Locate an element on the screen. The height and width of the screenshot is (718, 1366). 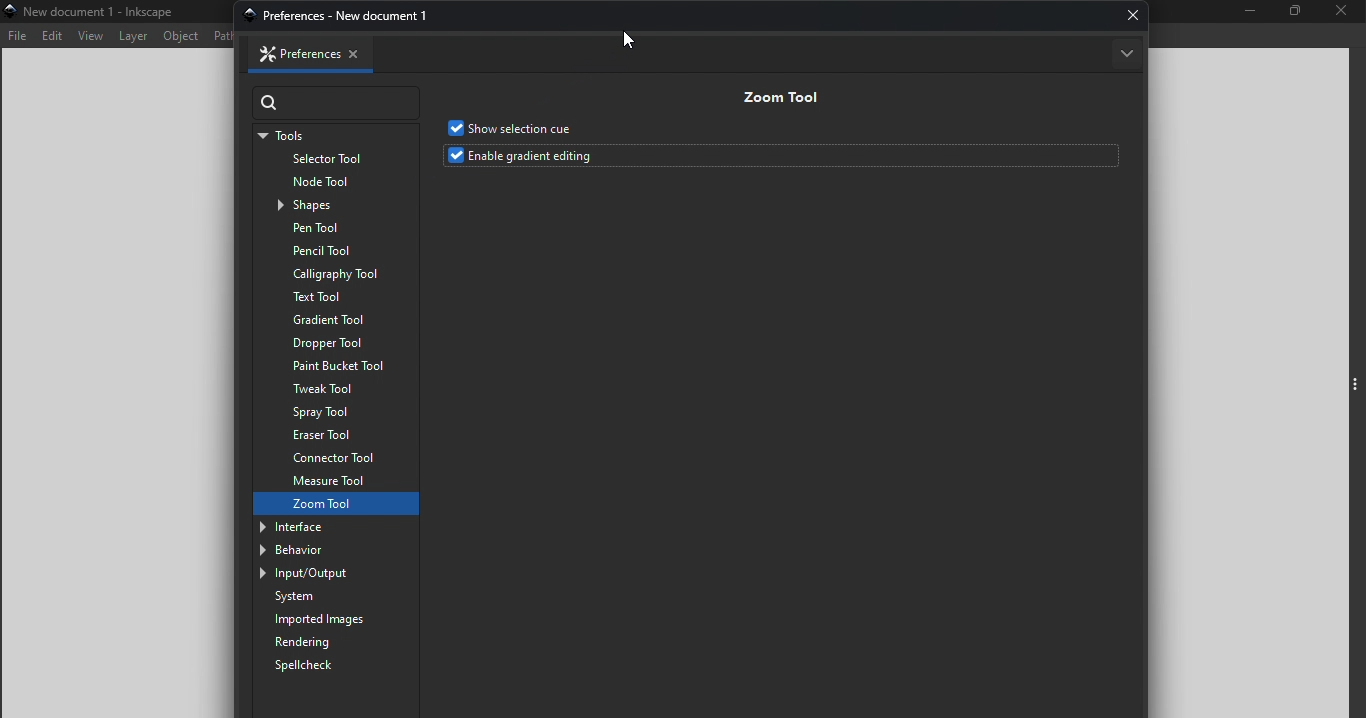
Calligraphy tool is located at coordinates (330, 274).